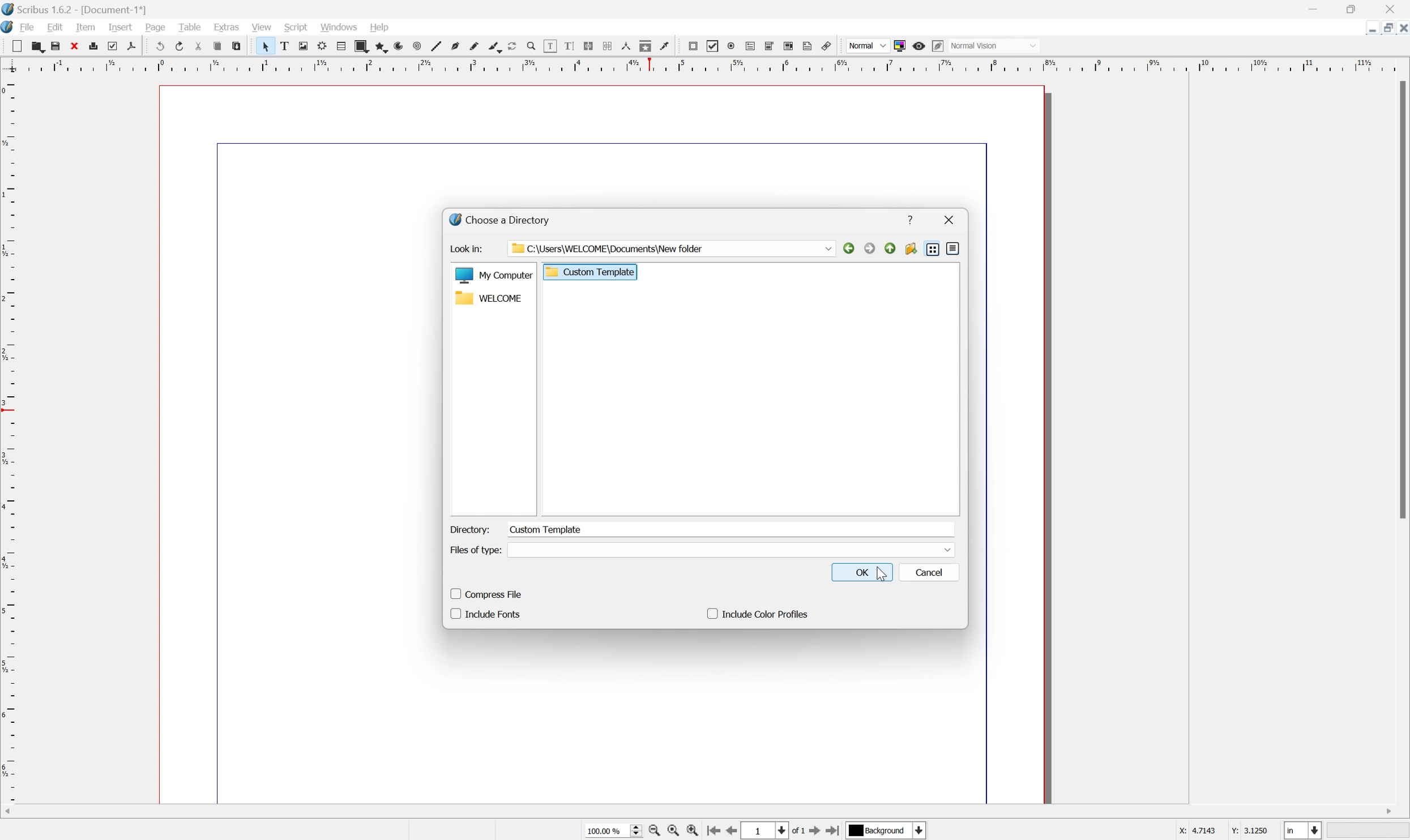 This screenshot has height=840, width=1410. What do you see at coordinates (549, 48) in the screenshot?
I see `edit contents of frame` at bounding box center [549, 48].